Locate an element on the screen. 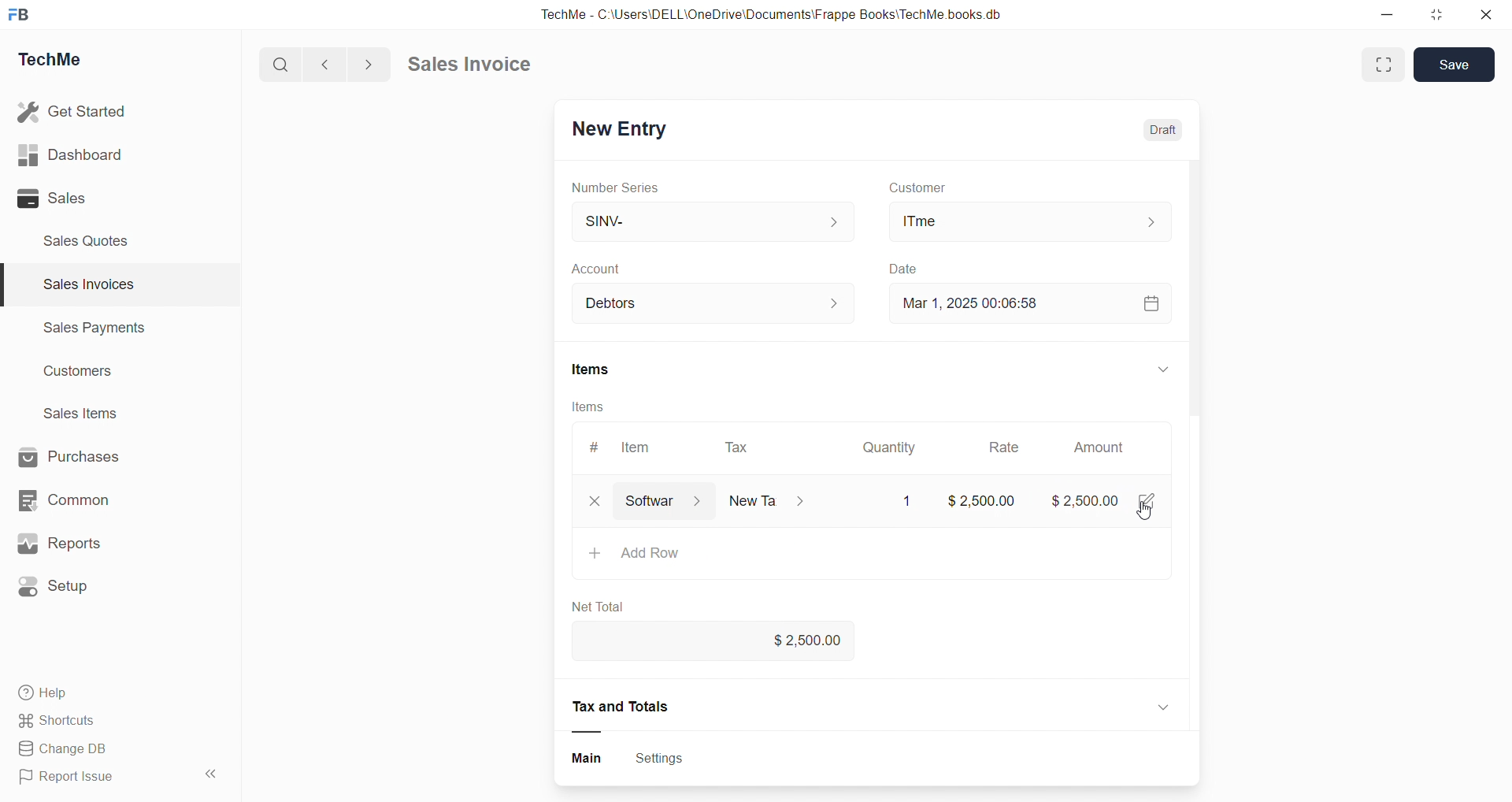 The width and height of the screenshot is (1512, 802). Search buton is located at coordinates (283, 65).